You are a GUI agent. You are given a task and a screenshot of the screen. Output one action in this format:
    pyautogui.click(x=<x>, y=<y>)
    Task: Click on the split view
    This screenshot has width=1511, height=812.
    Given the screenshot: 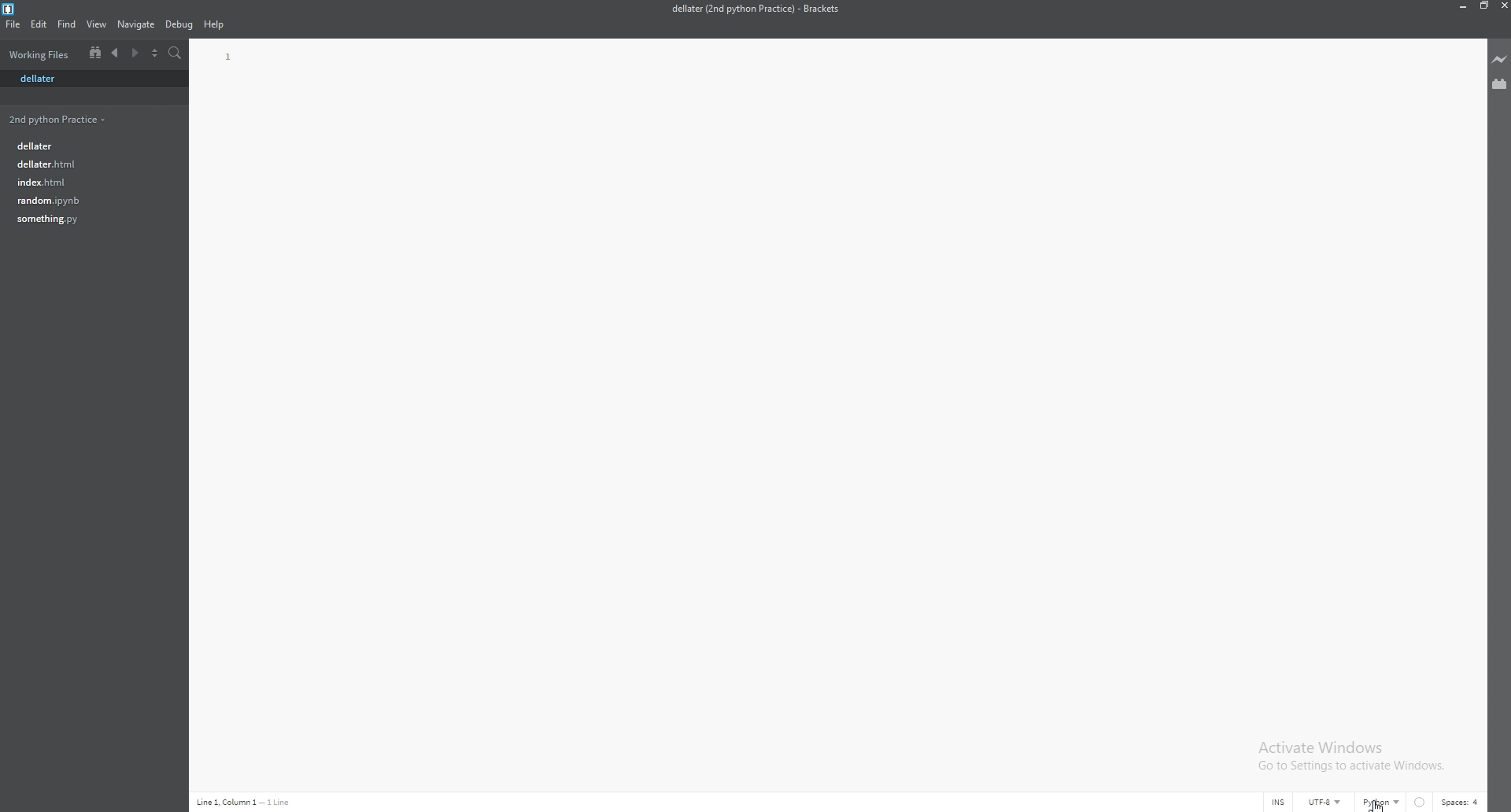 What is the action you would take?
    pyautogui.click(x=154, y=54)
    